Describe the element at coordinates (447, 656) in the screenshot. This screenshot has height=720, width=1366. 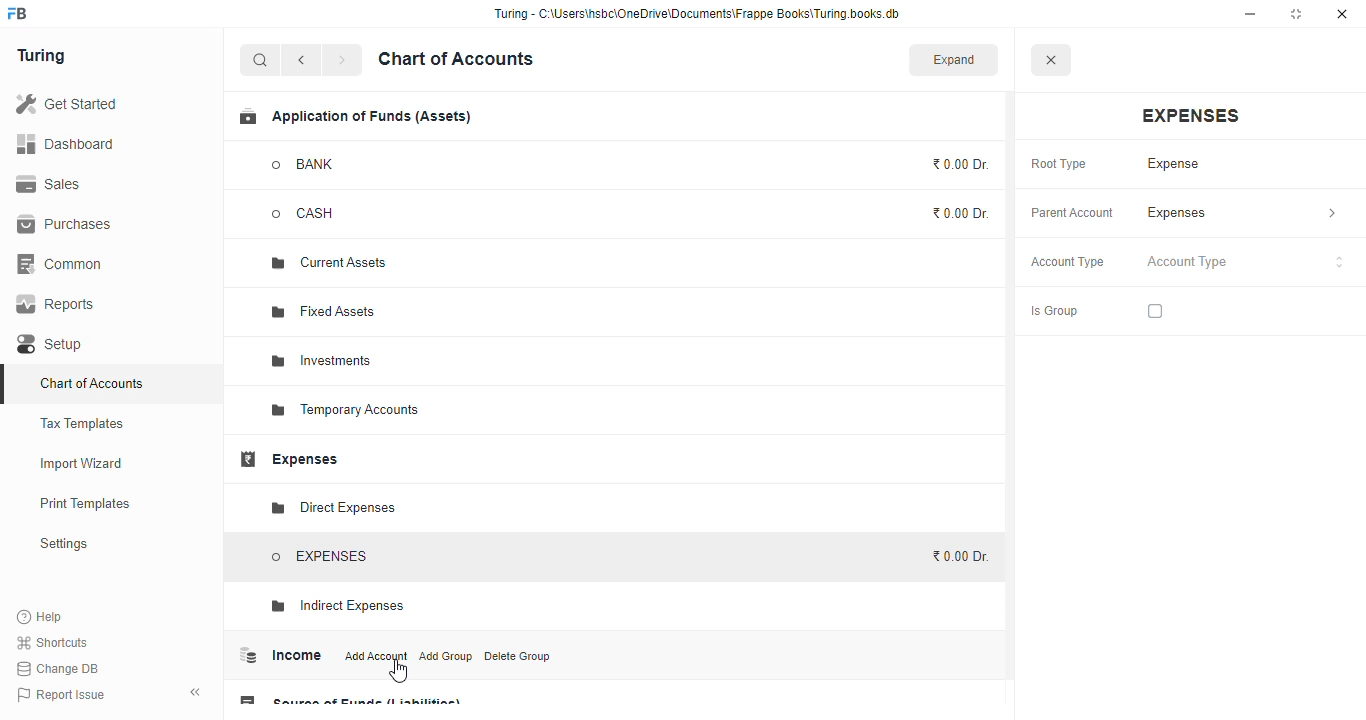
I see `add group` at that location.